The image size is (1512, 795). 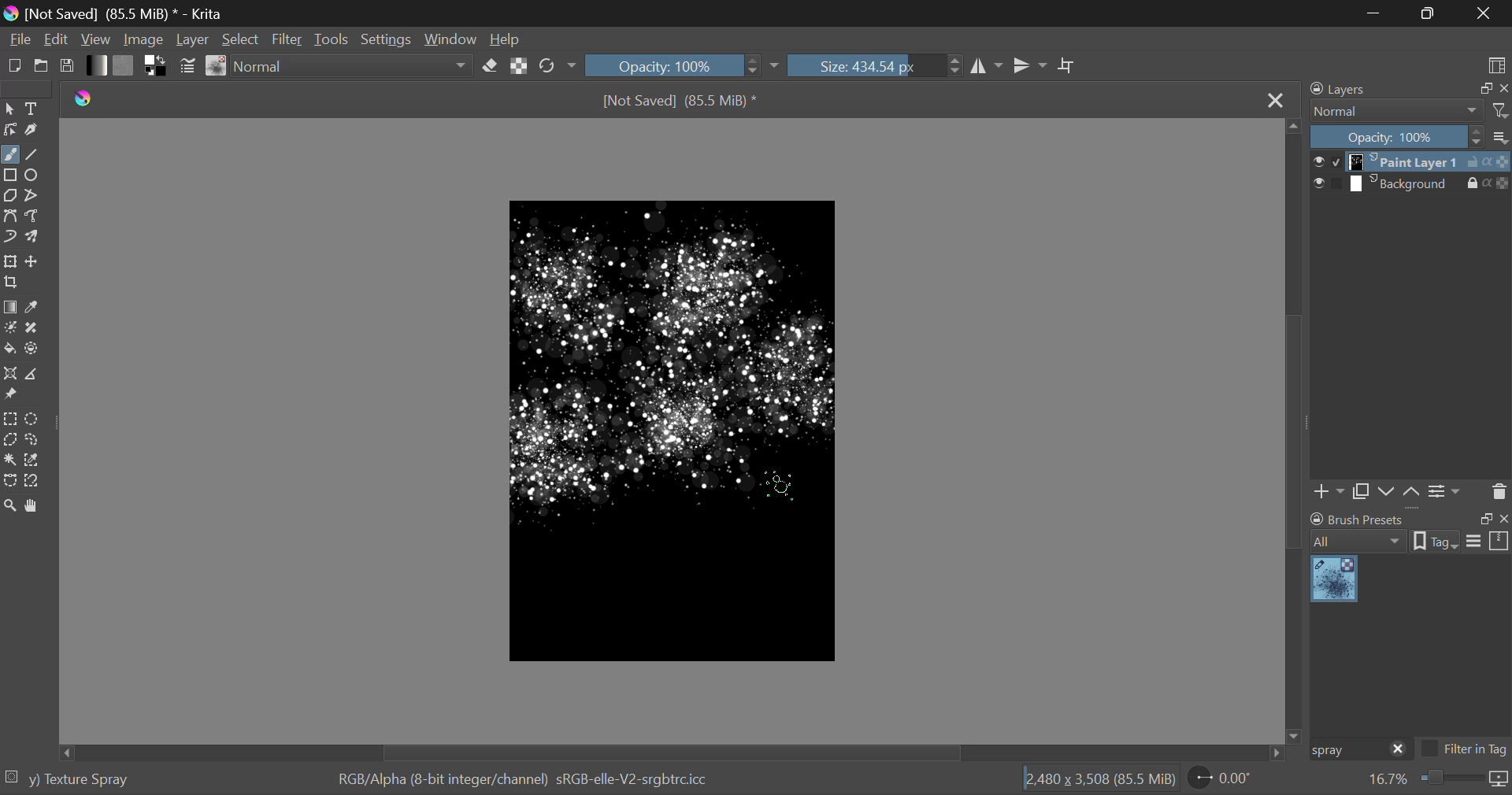 What do you see at coordinates (32, 156) in the screenshot?
I see `Line` at bounding box center [32, 156].